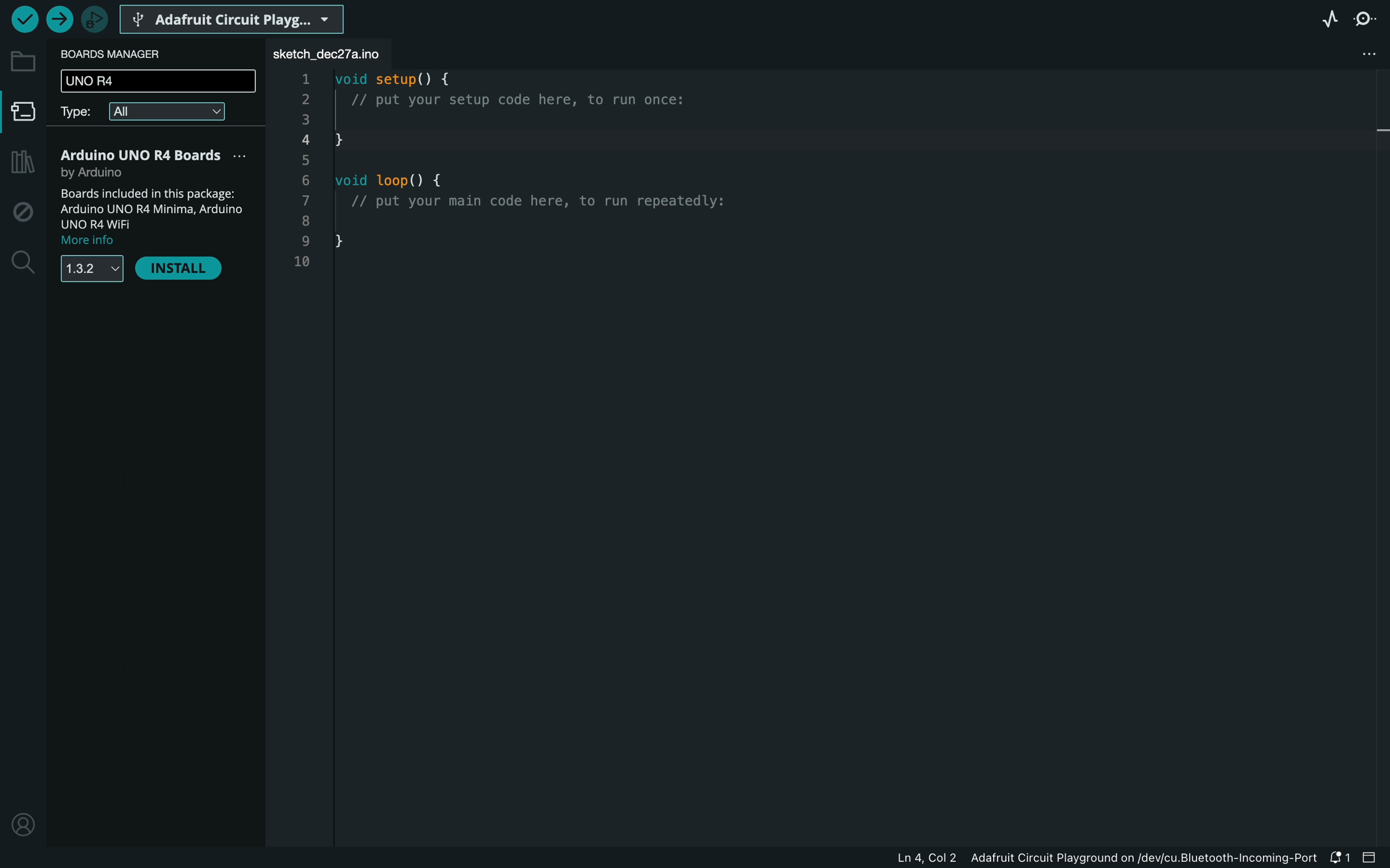 The width and height of the screenshot is (1390, 868). Describe the element at coordinates (508, 157) in the screenshot. I see `code` at that location.